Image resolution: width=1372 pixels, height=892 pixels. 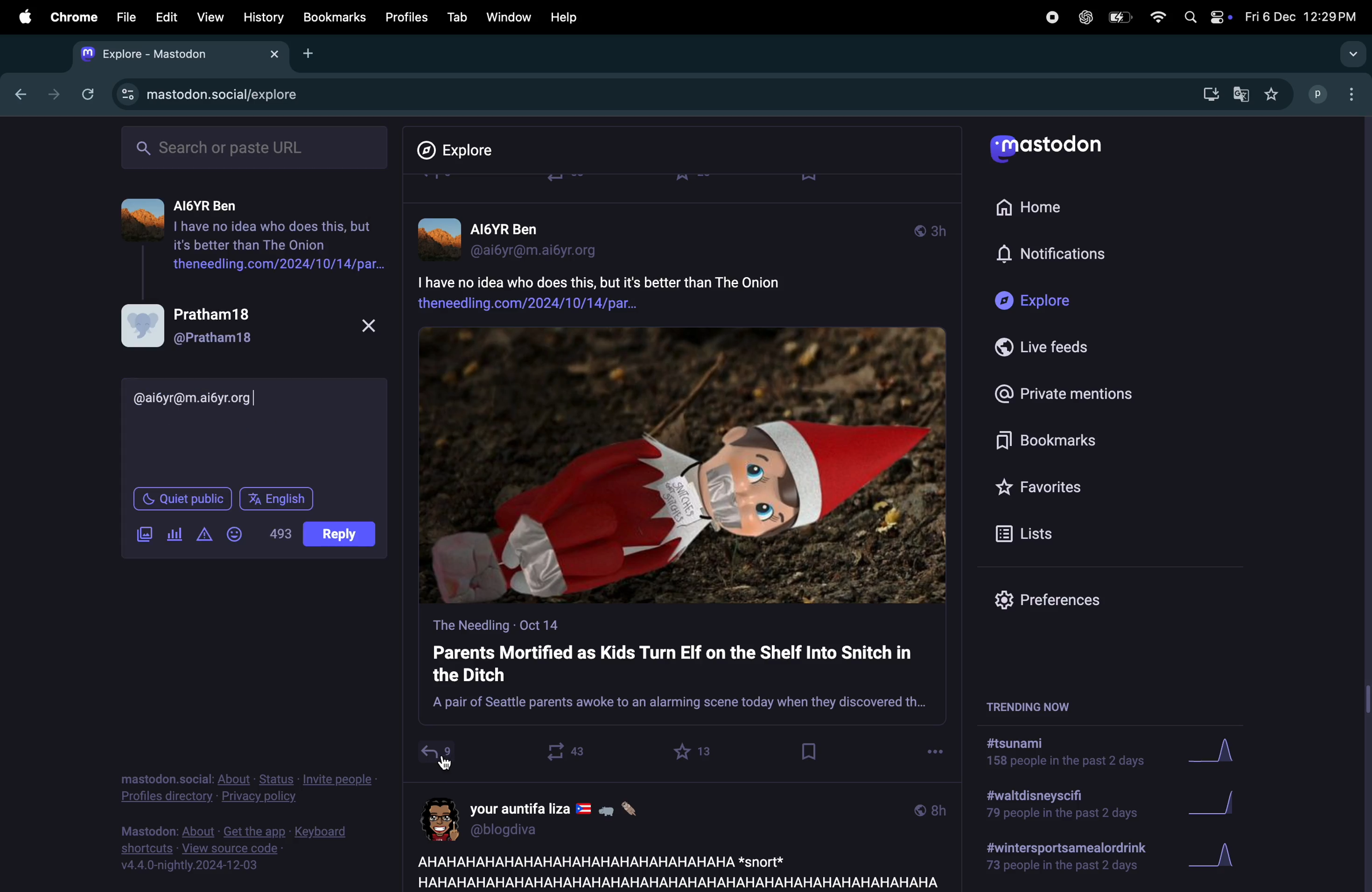 What do you see at coordinates (930, 229) in the screenshot?
I see `time ago` at bounding box center [930, 229].